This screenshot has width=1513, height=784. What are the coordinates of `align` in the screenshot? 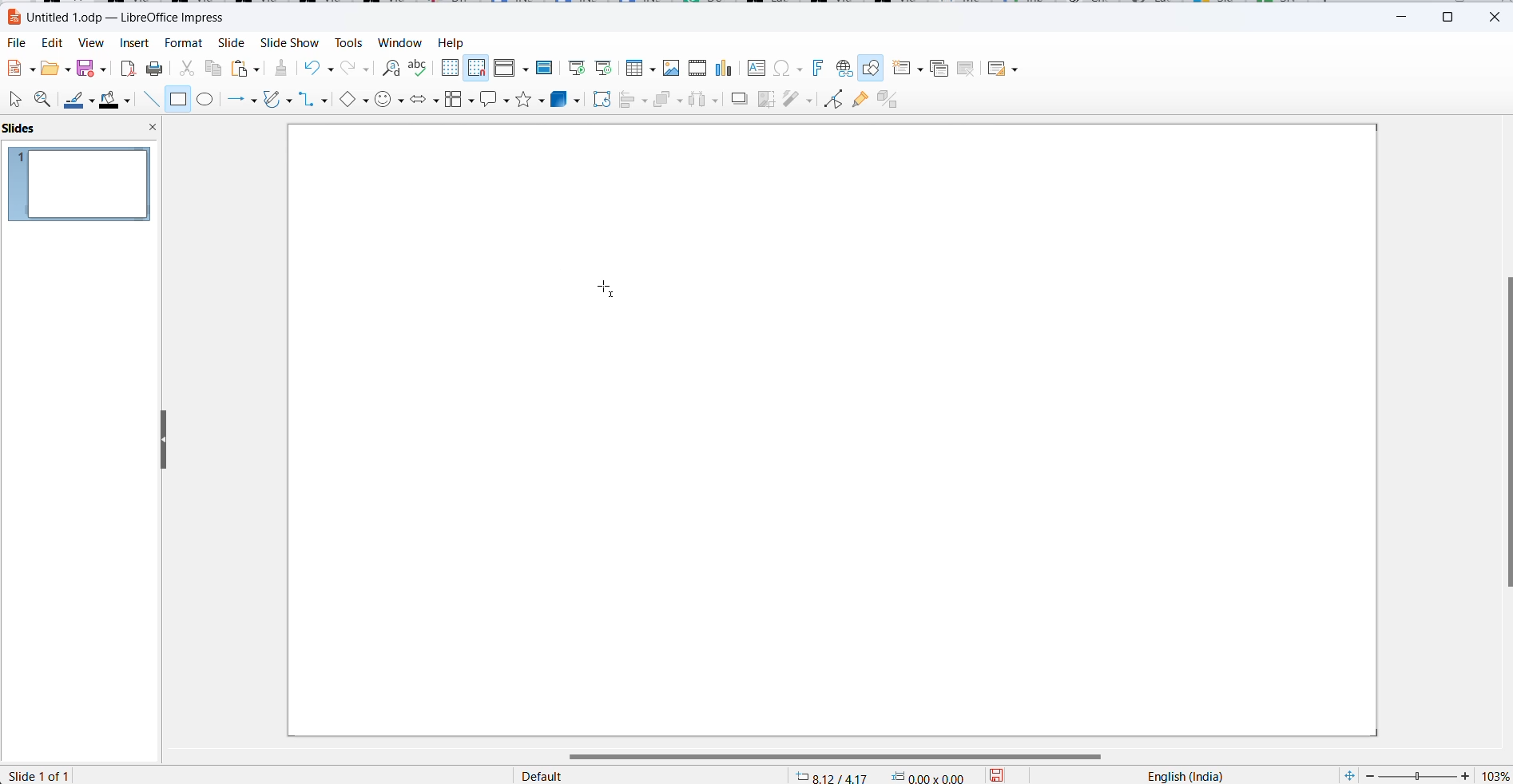 It's located at (633, 101).